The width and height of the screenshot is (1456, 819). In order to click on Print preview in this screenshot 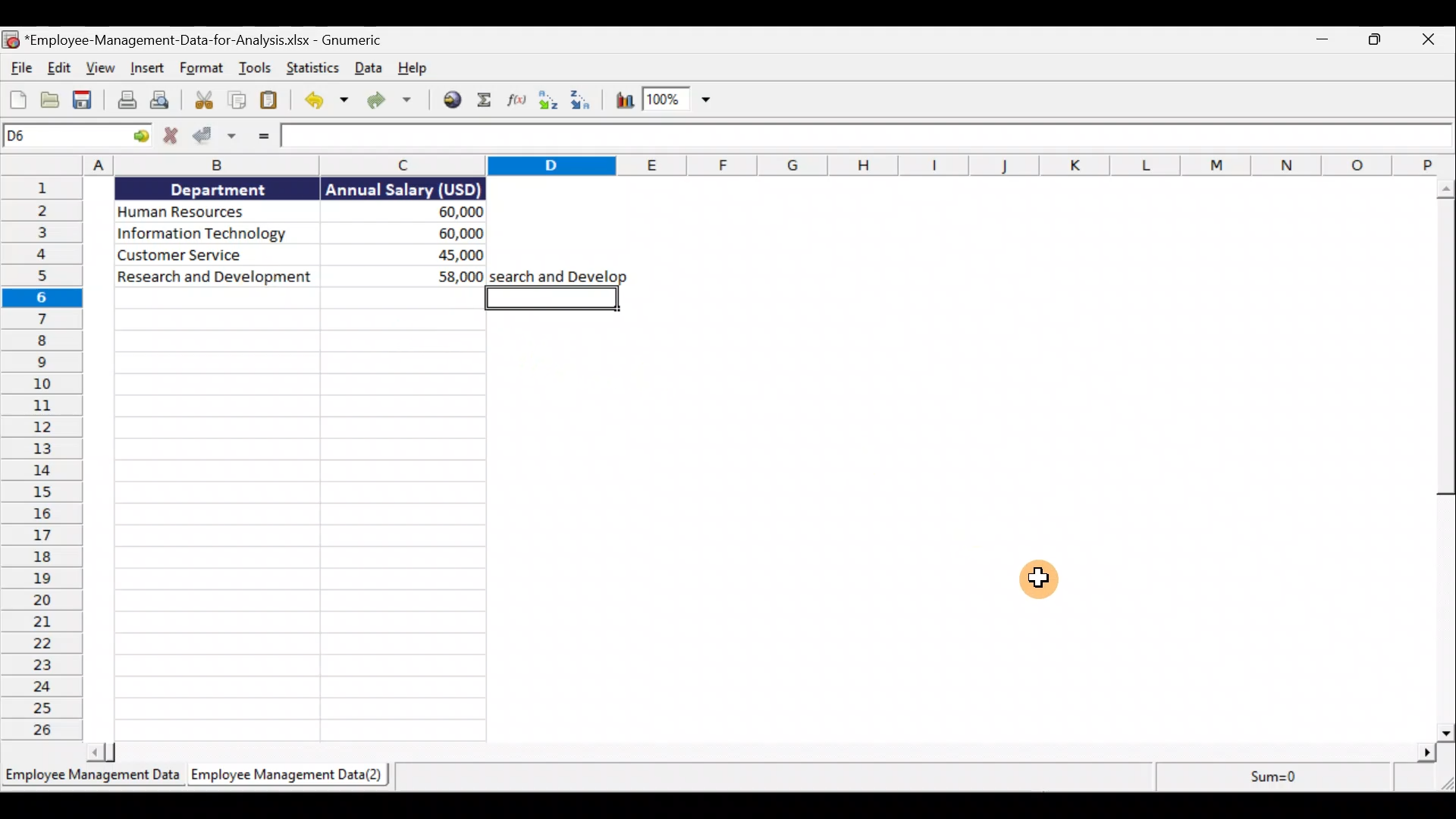, I will do `click(165, 102)`.